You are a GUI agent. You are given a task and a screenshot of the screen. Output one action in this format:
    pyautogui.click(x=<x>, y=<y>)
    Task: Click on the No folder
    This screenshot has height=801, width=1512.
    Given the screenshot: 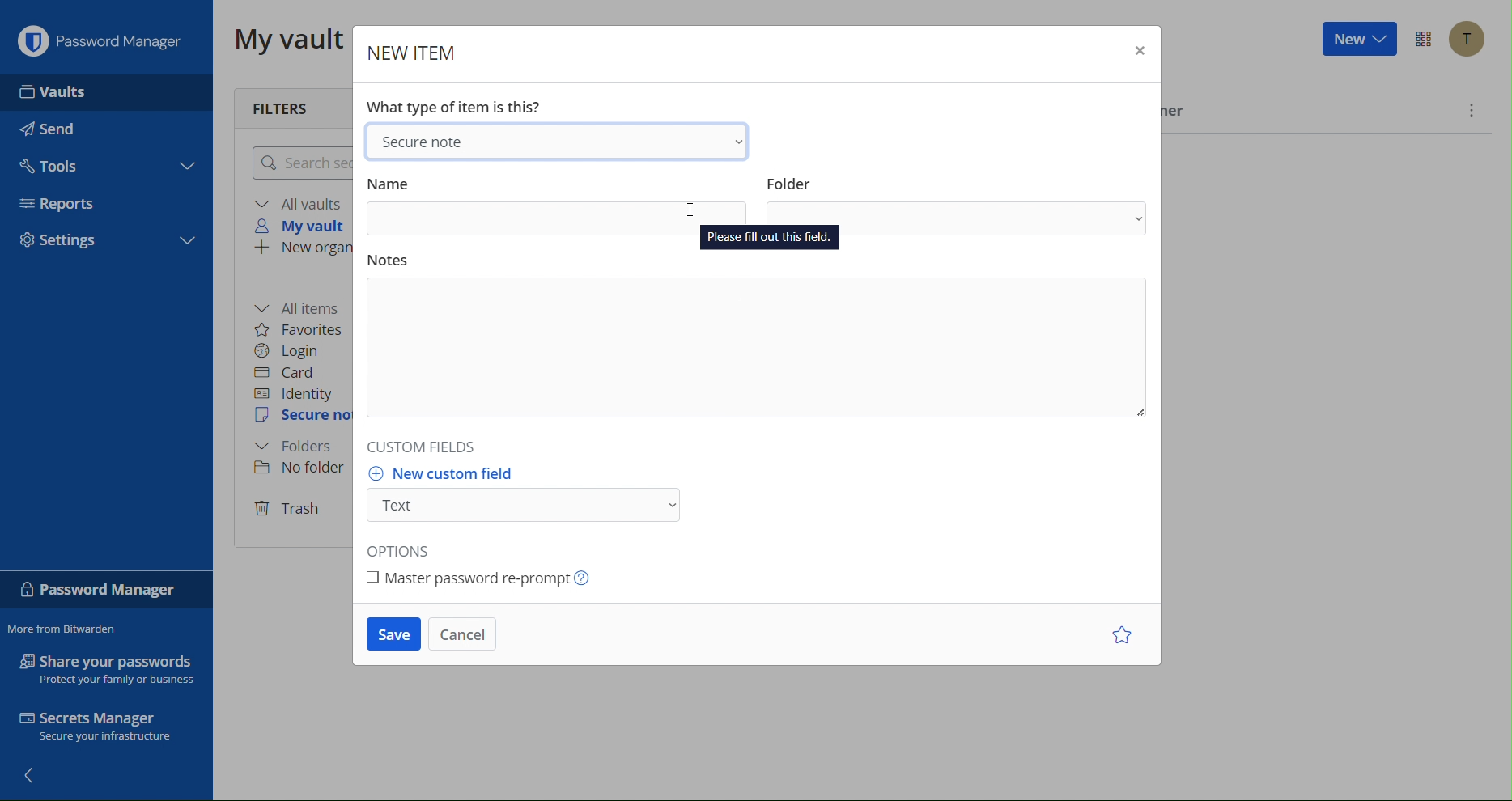 What is the action you would take?
    pyautogui.click(x=298, y=469)
    